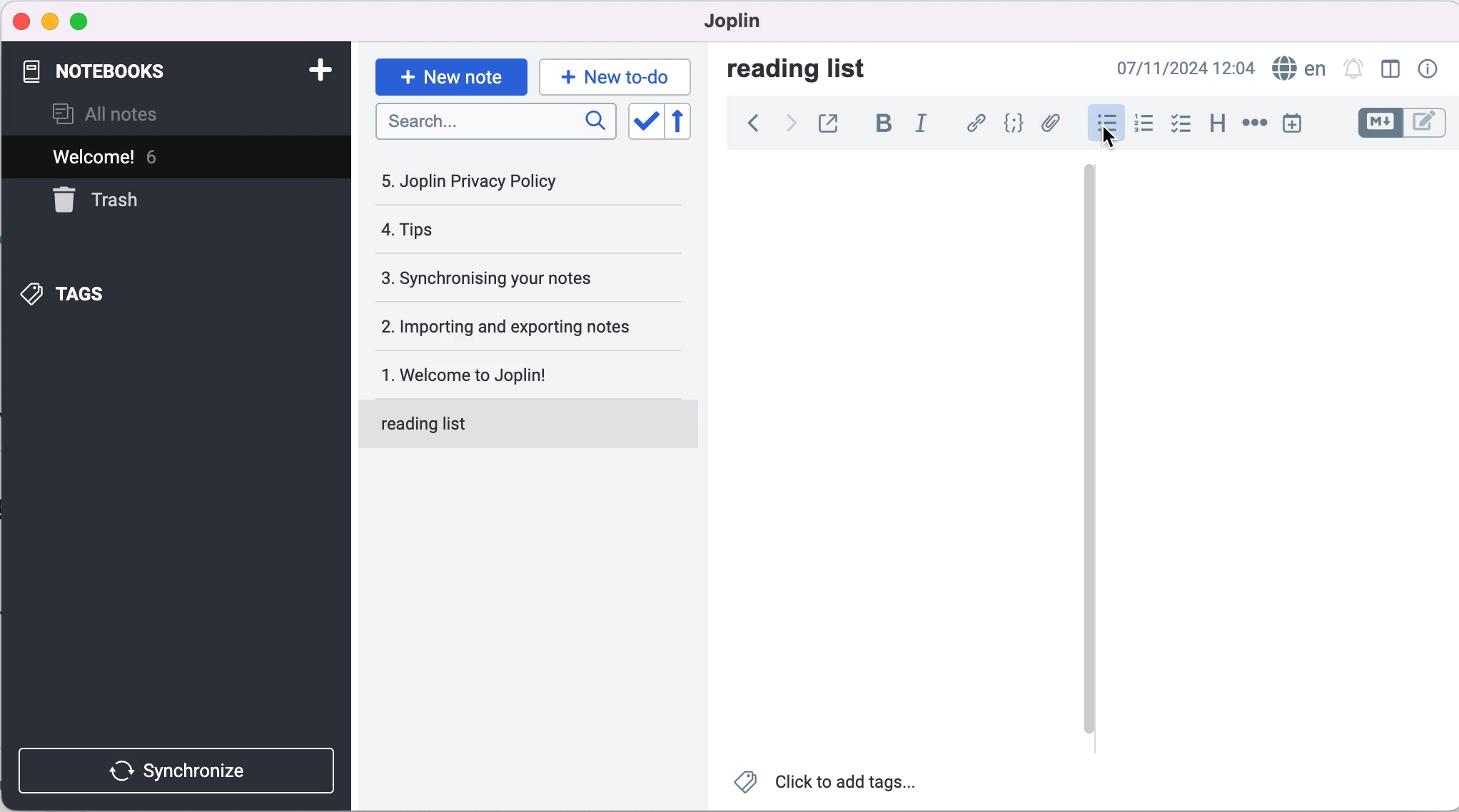 The height and width of the screenshot is (812, 1459). I want to click on joplin privacy policy, so click(499, 186).